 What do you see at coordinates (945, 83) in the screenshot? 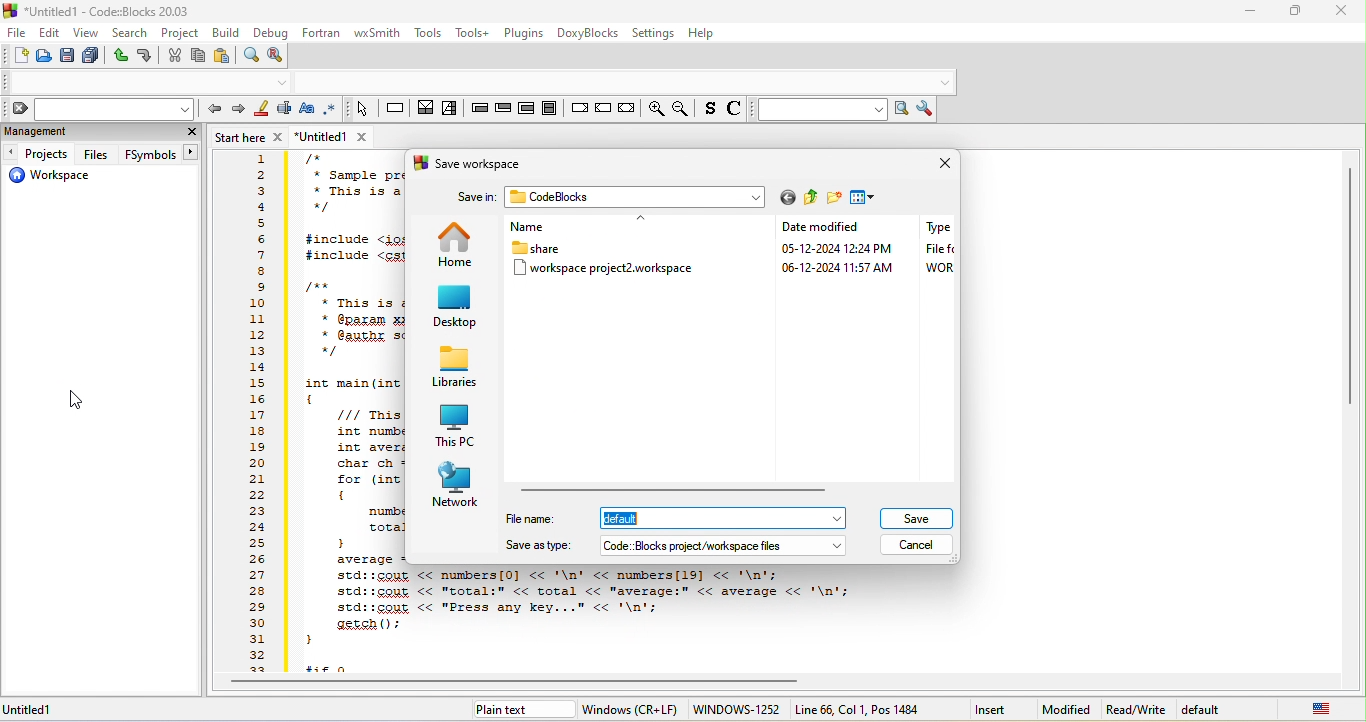
I see `dropdown` at bounding box center [945, 83].